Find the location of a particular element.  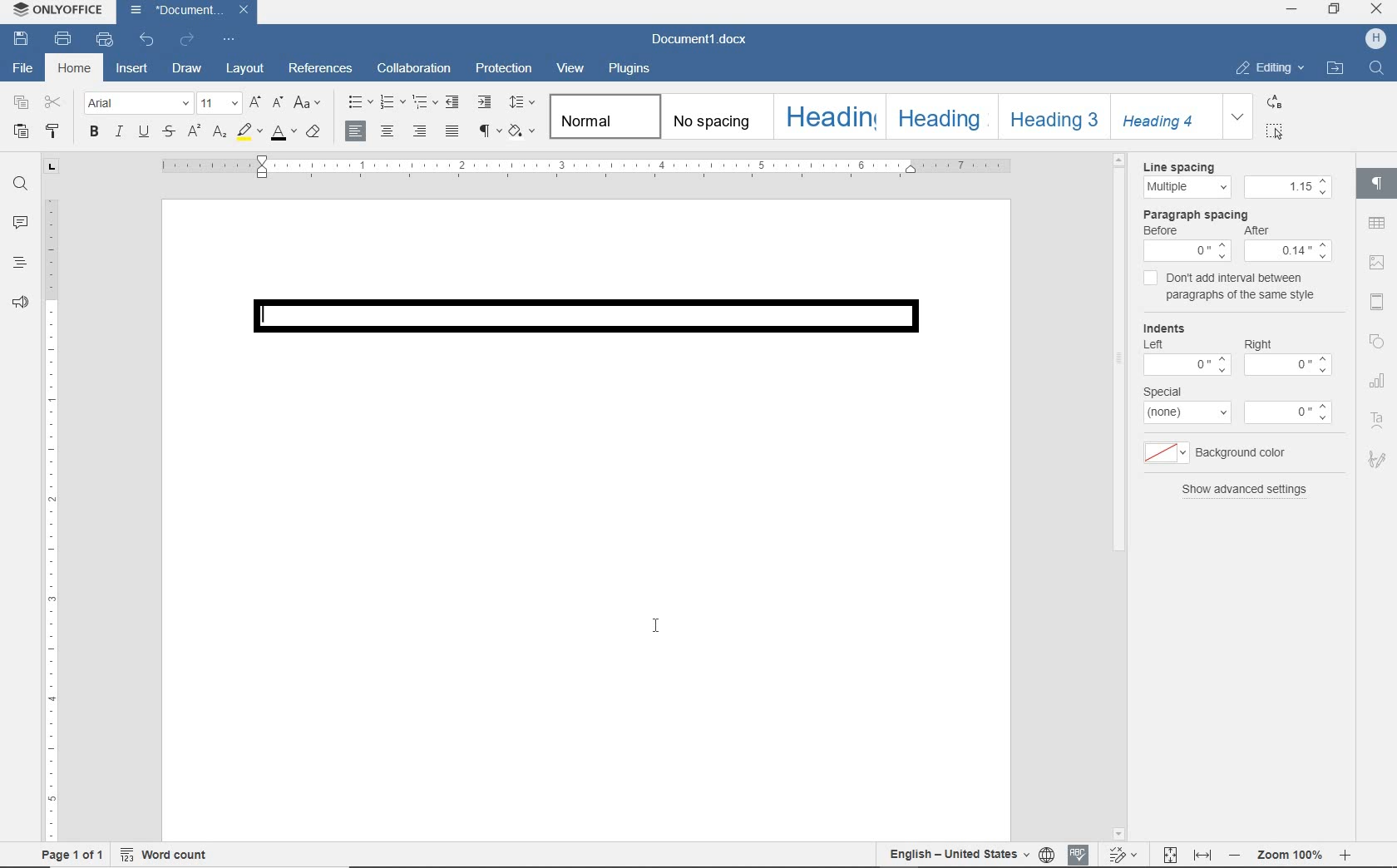

EDITING is located at coordinates (1266, 67).